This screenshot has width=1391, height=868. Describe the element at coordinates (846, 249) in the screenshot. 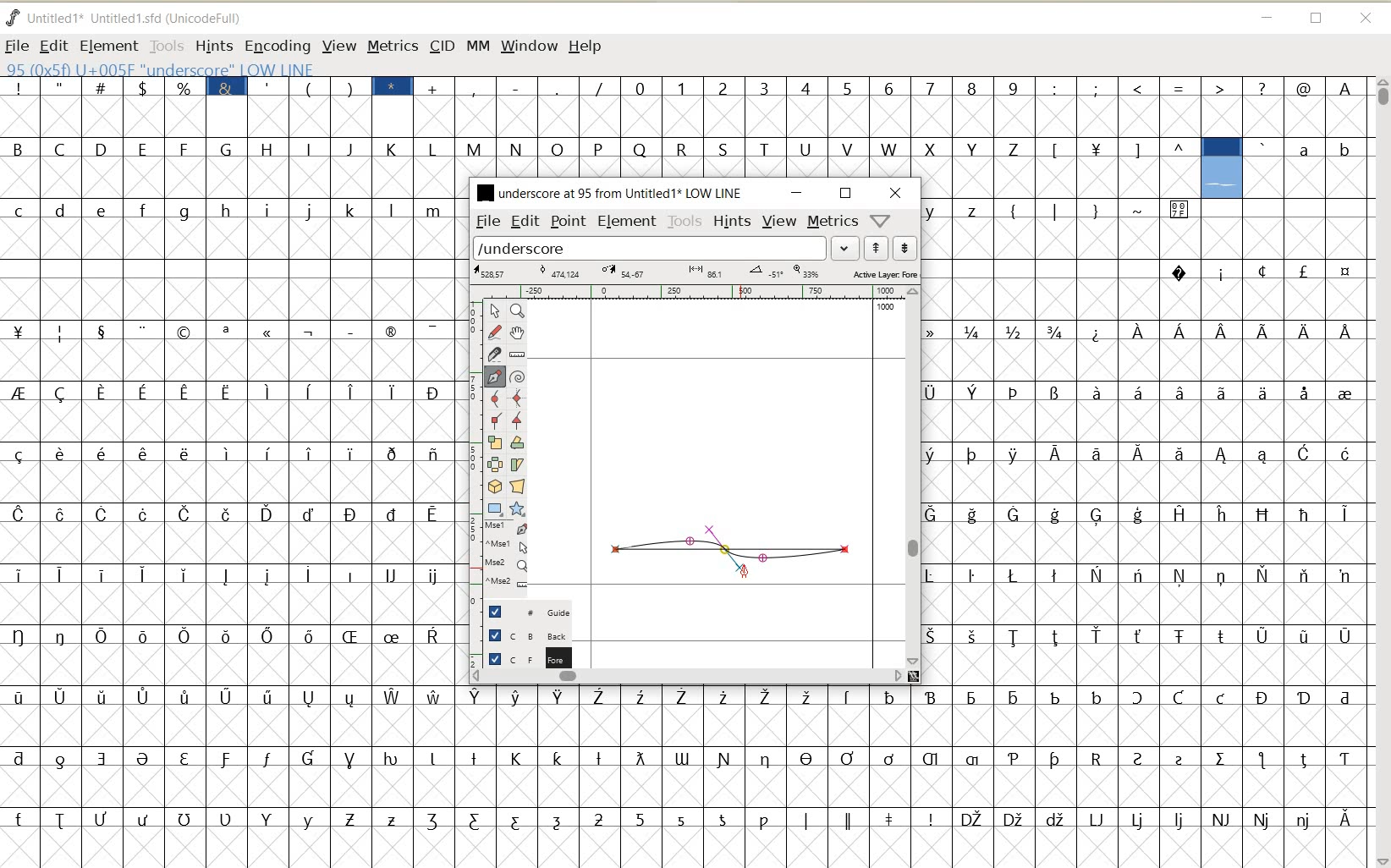

I see `EXPAND` at that location.